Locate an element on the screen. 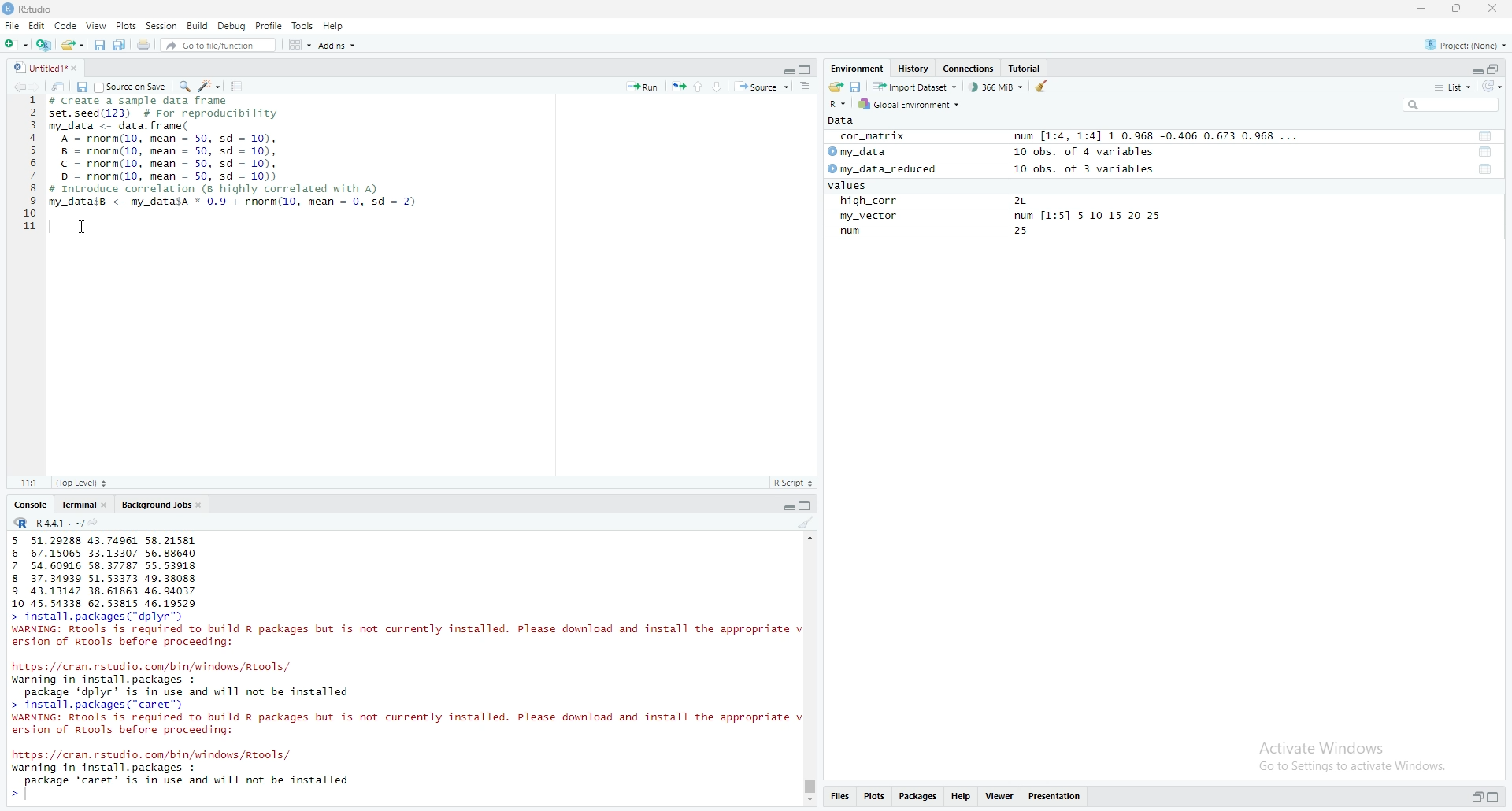 The height and width of the screenshot is (811, 1512). Scroll down is located at coordinates (812, 802).